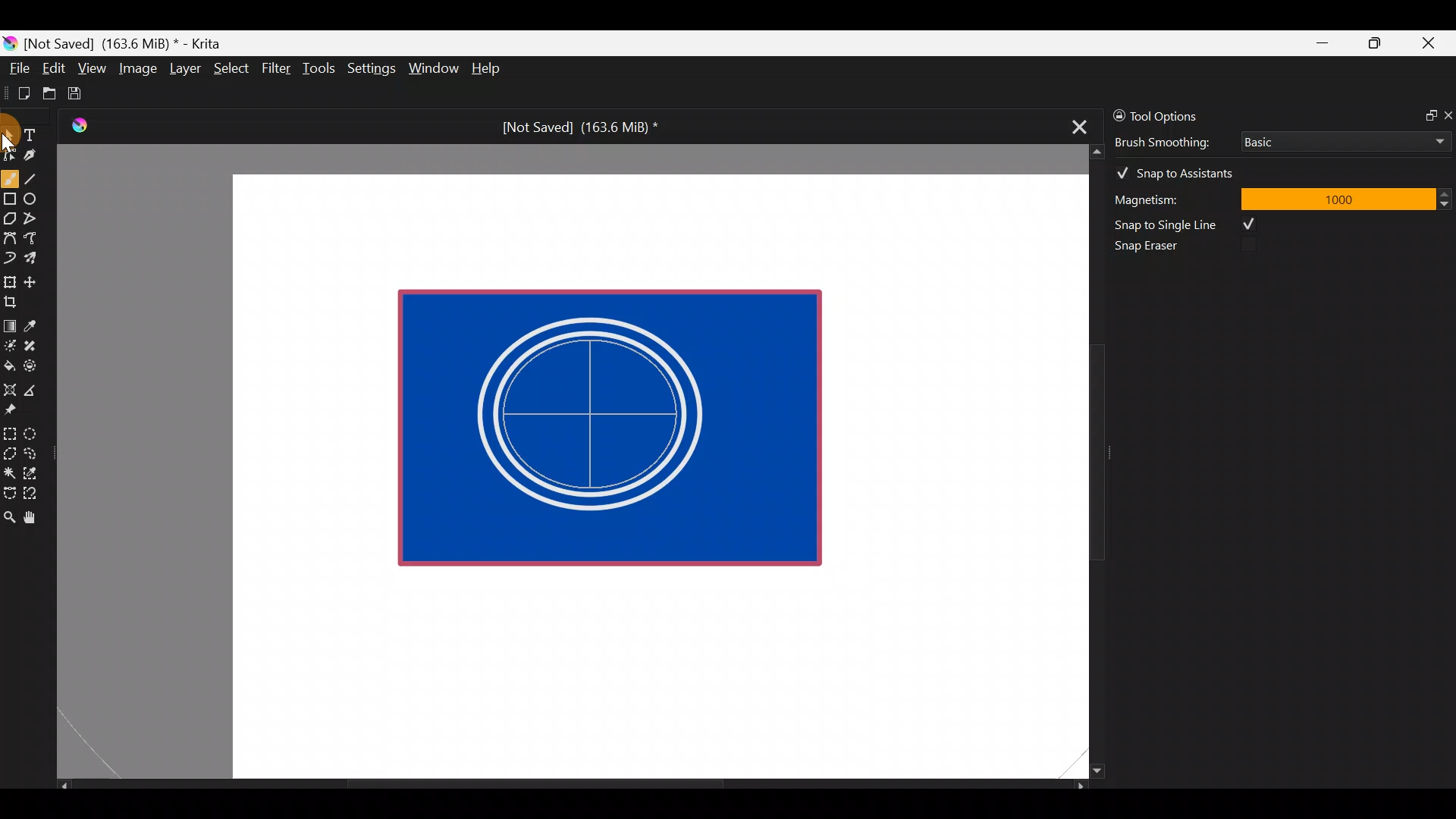 This screenshot has width=1456, height=819. Describe the element at coordinates (35, 385) in the screenshot. I see `Measure the distance between two points` at that location.